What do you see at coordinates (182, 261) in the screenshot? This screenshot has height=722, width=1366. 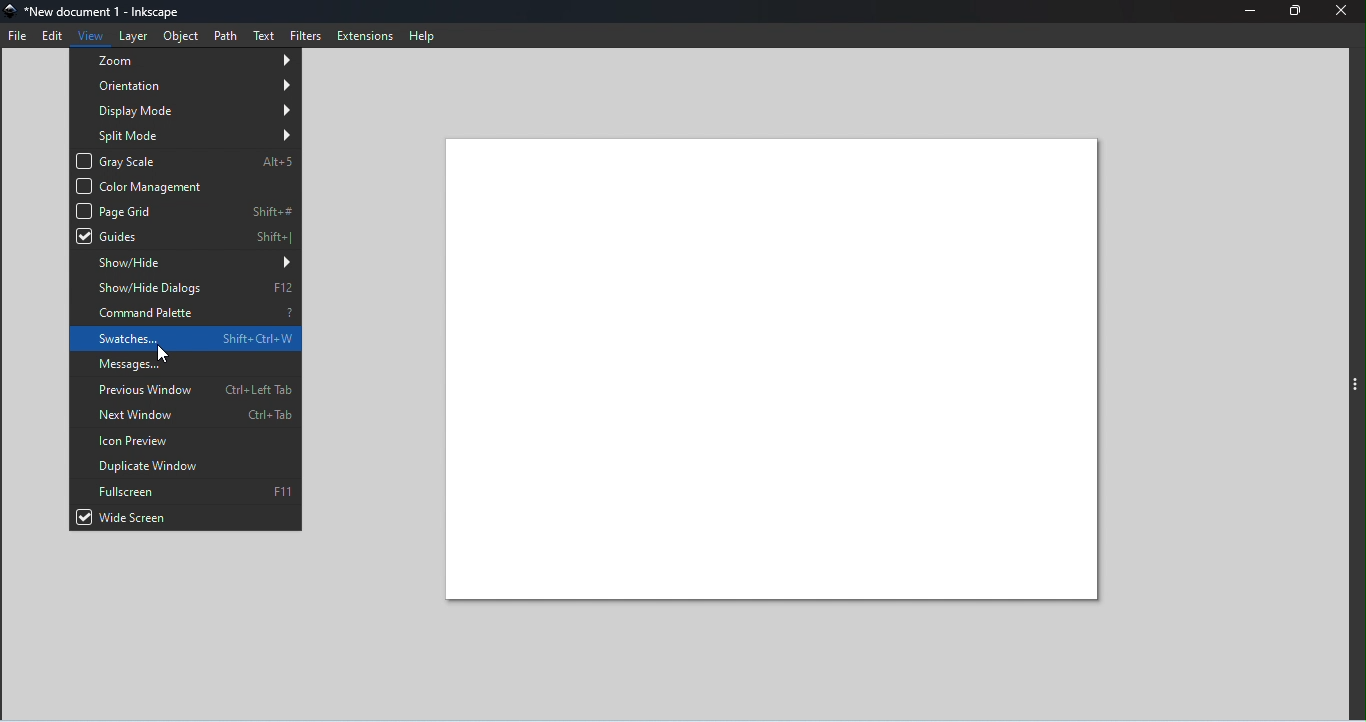 I see `Show/hide` at bounding box center [182, 261].